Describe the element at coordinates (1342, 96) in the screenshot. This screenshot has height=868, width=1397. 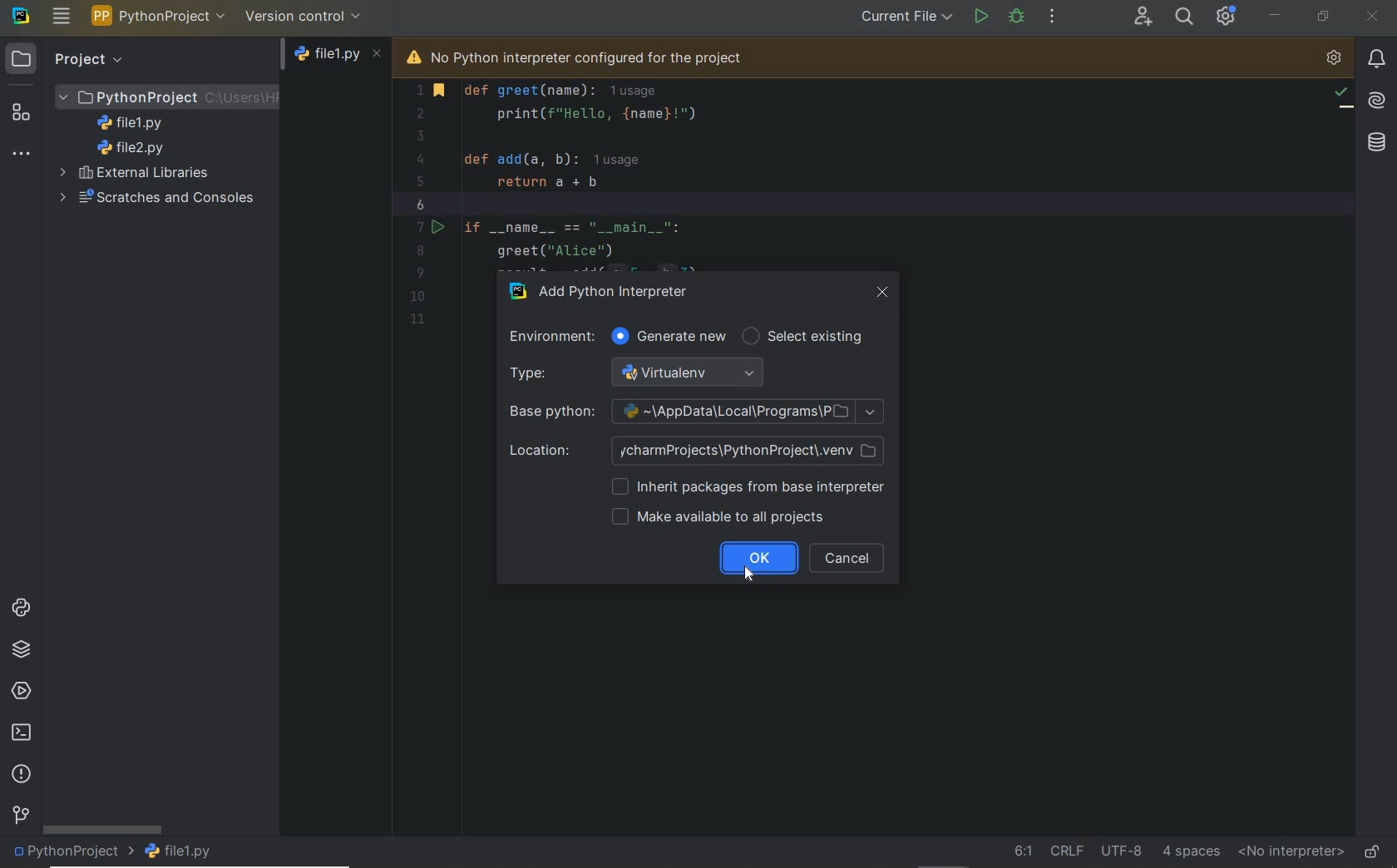
I see `no problema` at that location.